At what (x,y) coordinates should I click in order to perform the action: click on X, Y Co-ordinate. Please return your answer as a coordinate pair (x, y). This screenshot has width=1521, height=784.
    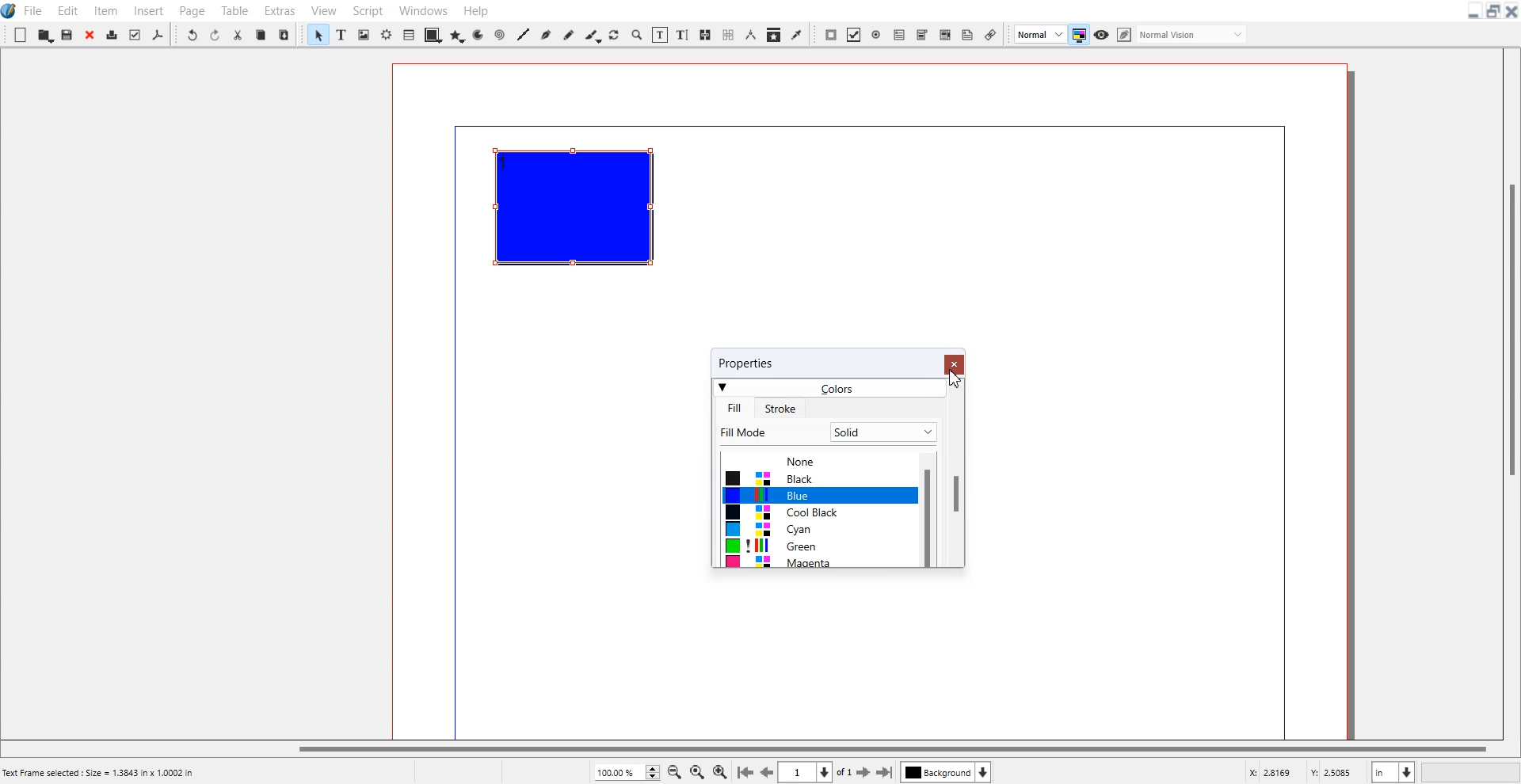
    Looking at the image, I should click on (1303, 771).